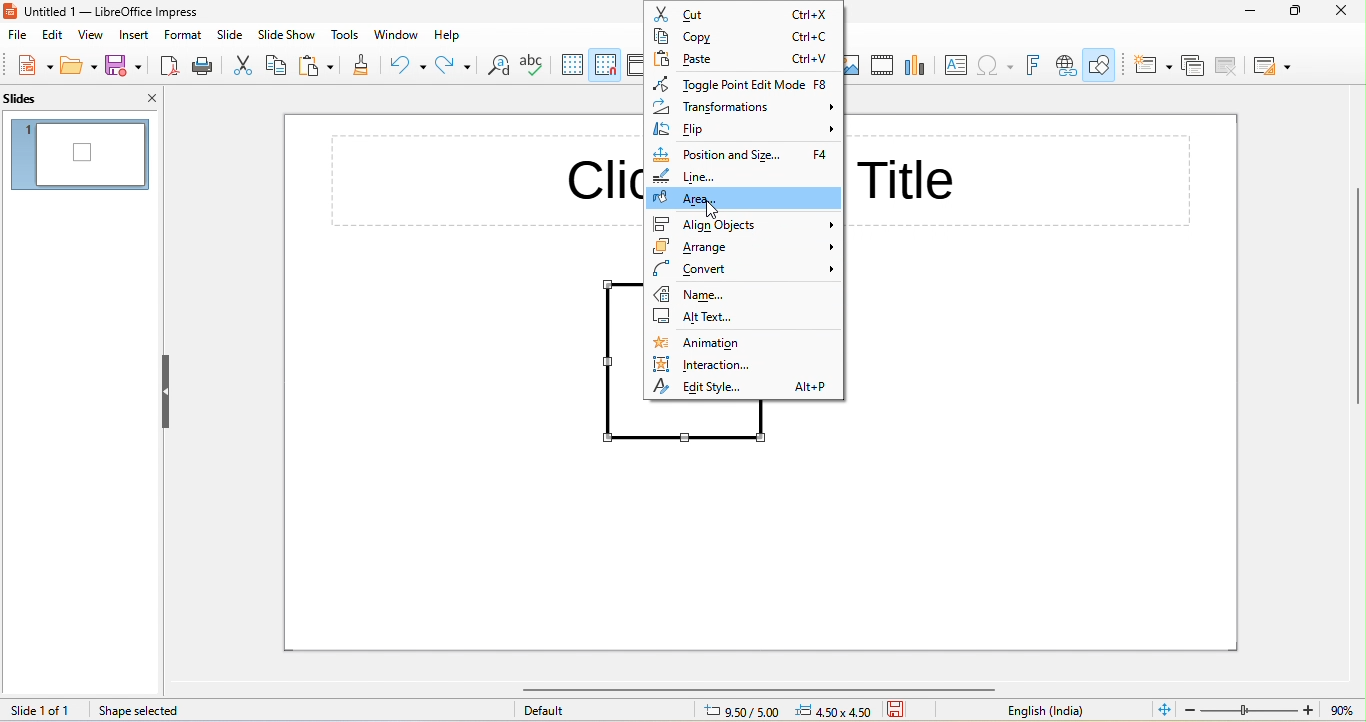  I want to click on slide, so click(230, 35).